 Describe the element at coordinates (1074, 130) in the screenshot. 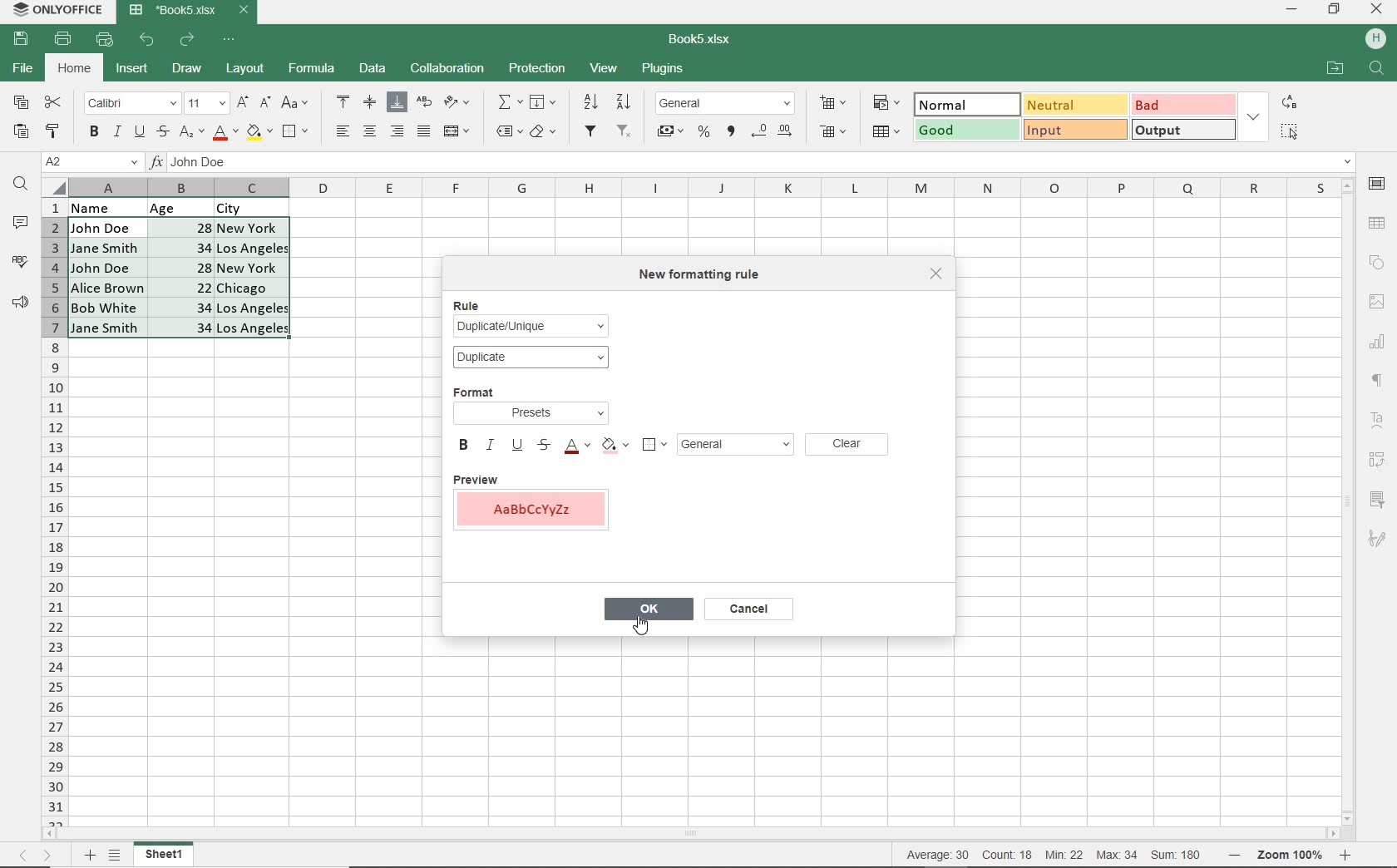

I see `INPUT` at that location.